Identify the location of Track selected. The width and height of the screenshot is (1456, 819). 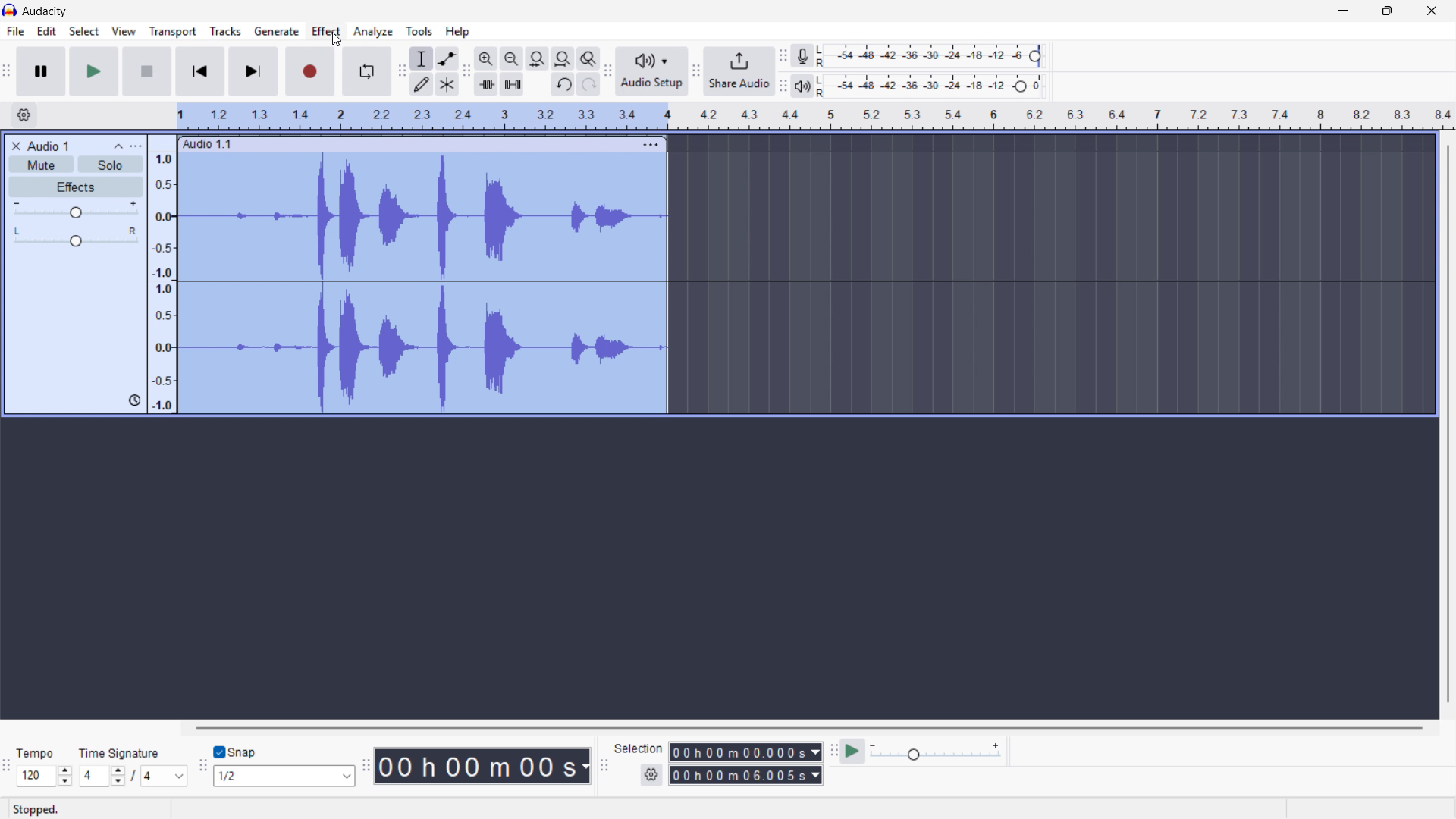
(423, 217).